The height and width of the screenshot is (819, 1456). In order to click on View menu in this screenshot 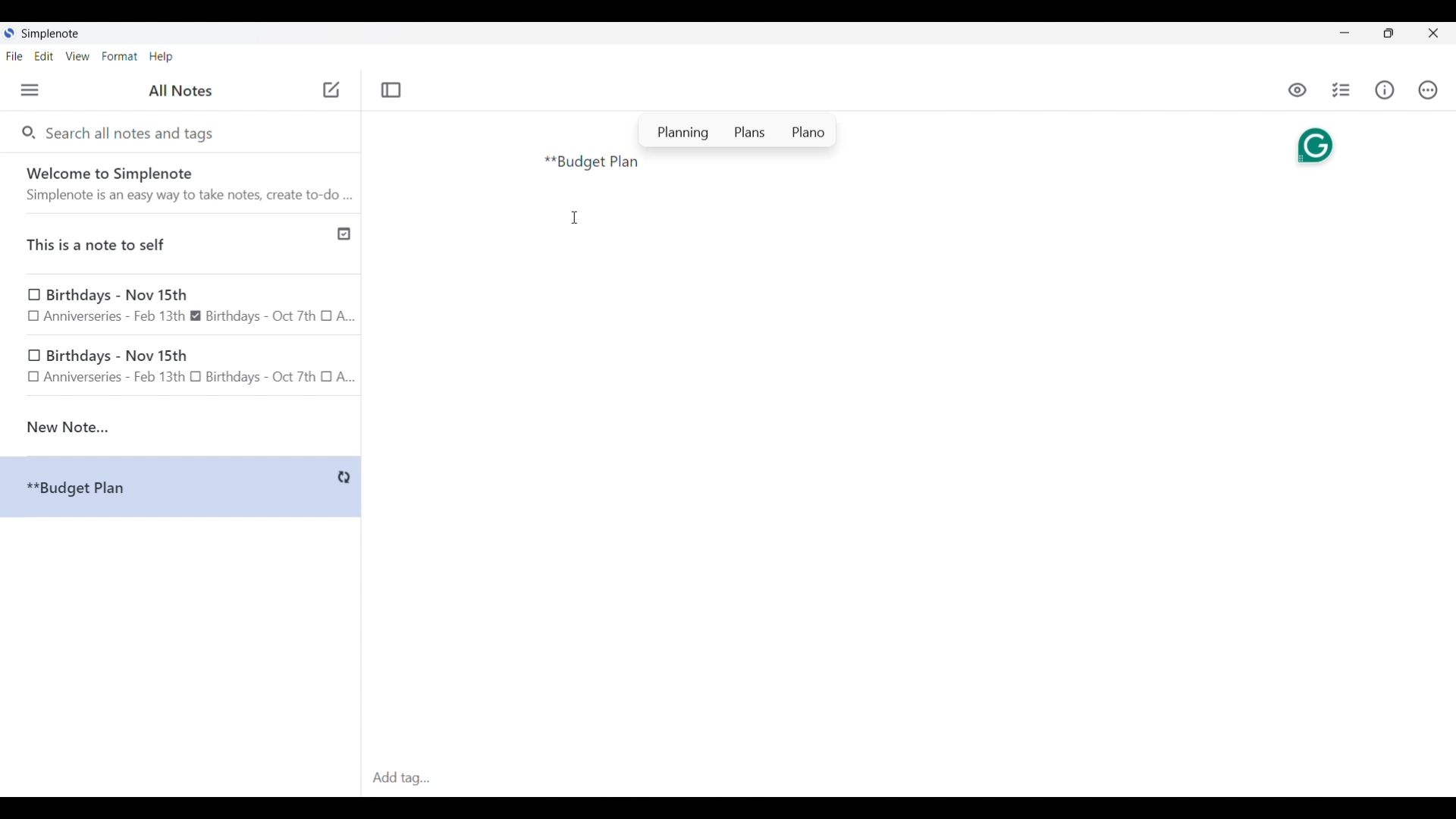, I will do `click(78, 55)`.